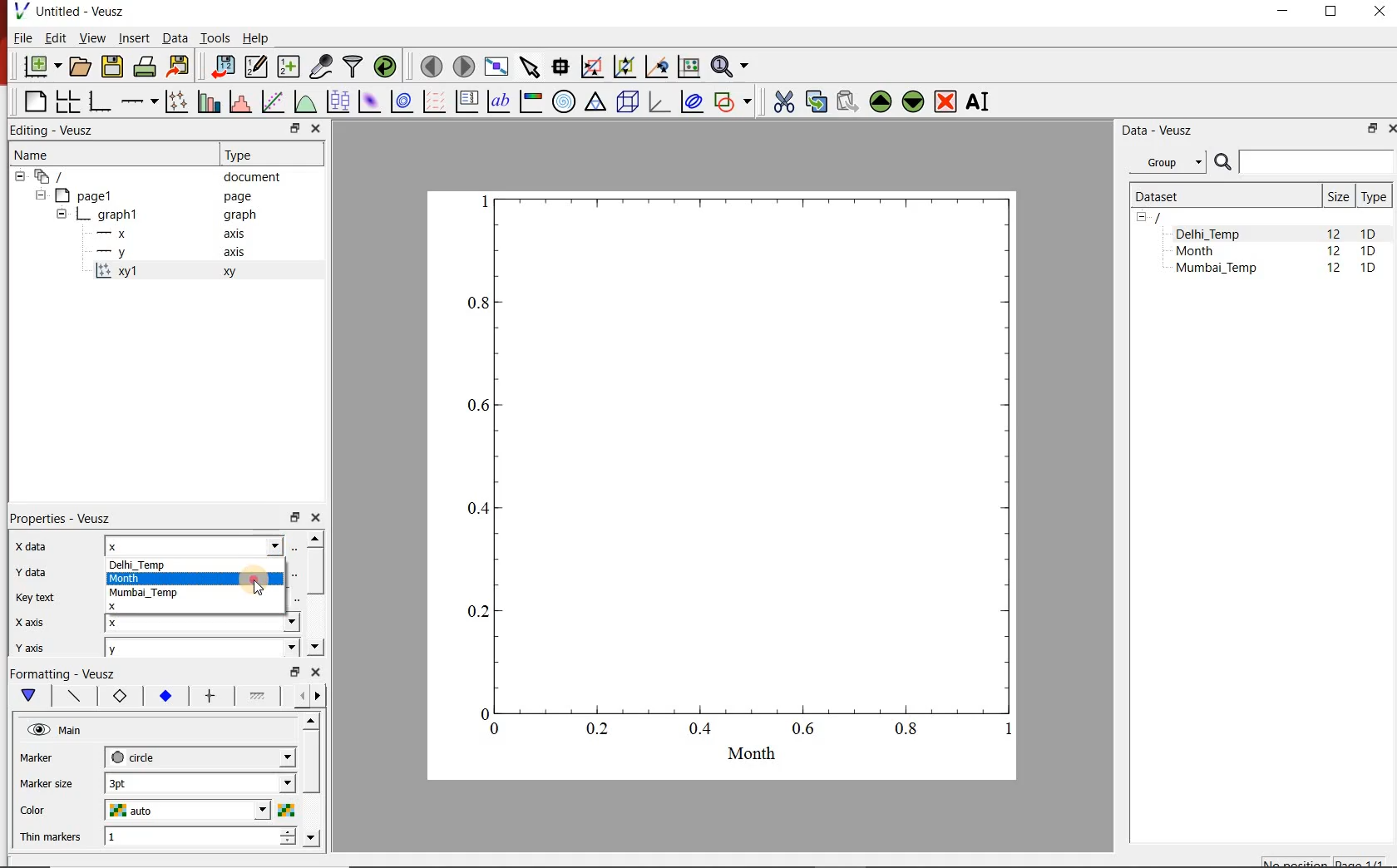 This screenshot has height=868, width=1397. What do you see at coordinates (732, 67) in the screenshot?
I see `zoom functions menu` at bounding box center [732, 67].